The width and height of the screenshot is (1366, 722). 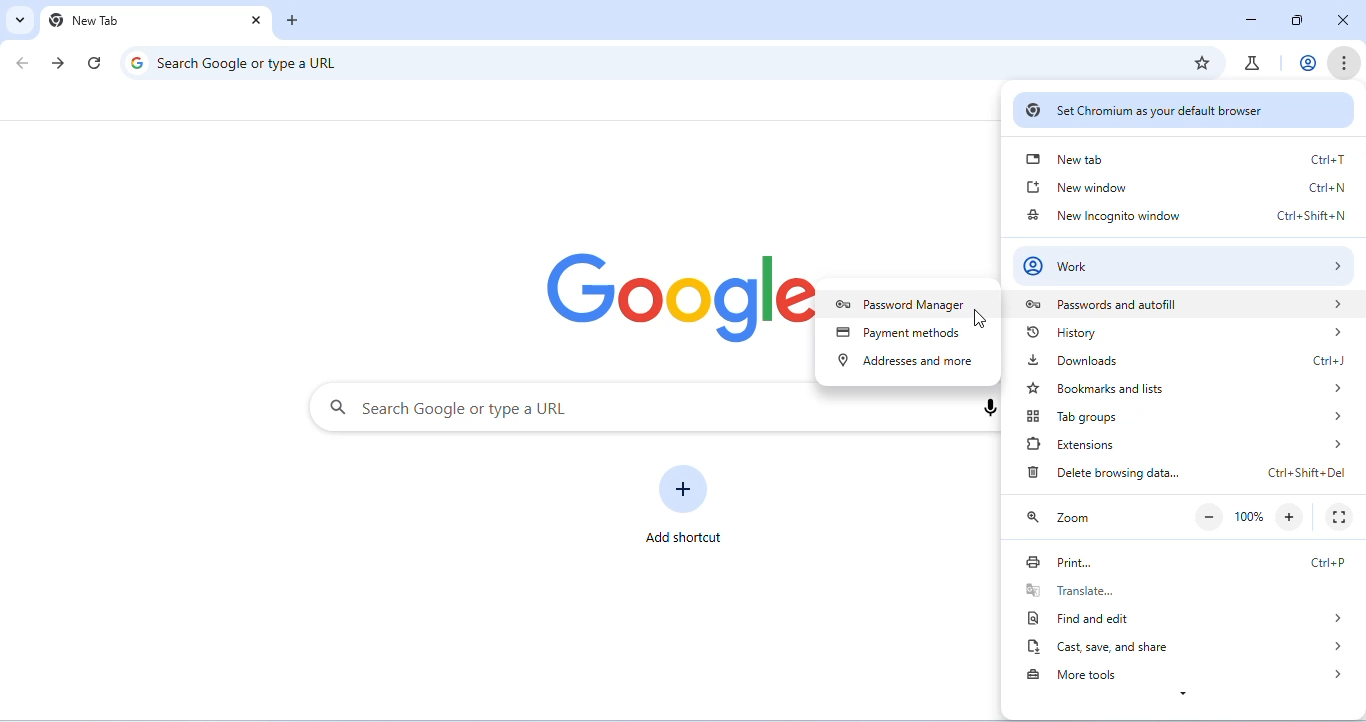 What do you see at coordinates (1345, 64) in the screenshot?
I see `customize and control chromium` at bounding box center [1345, 64].